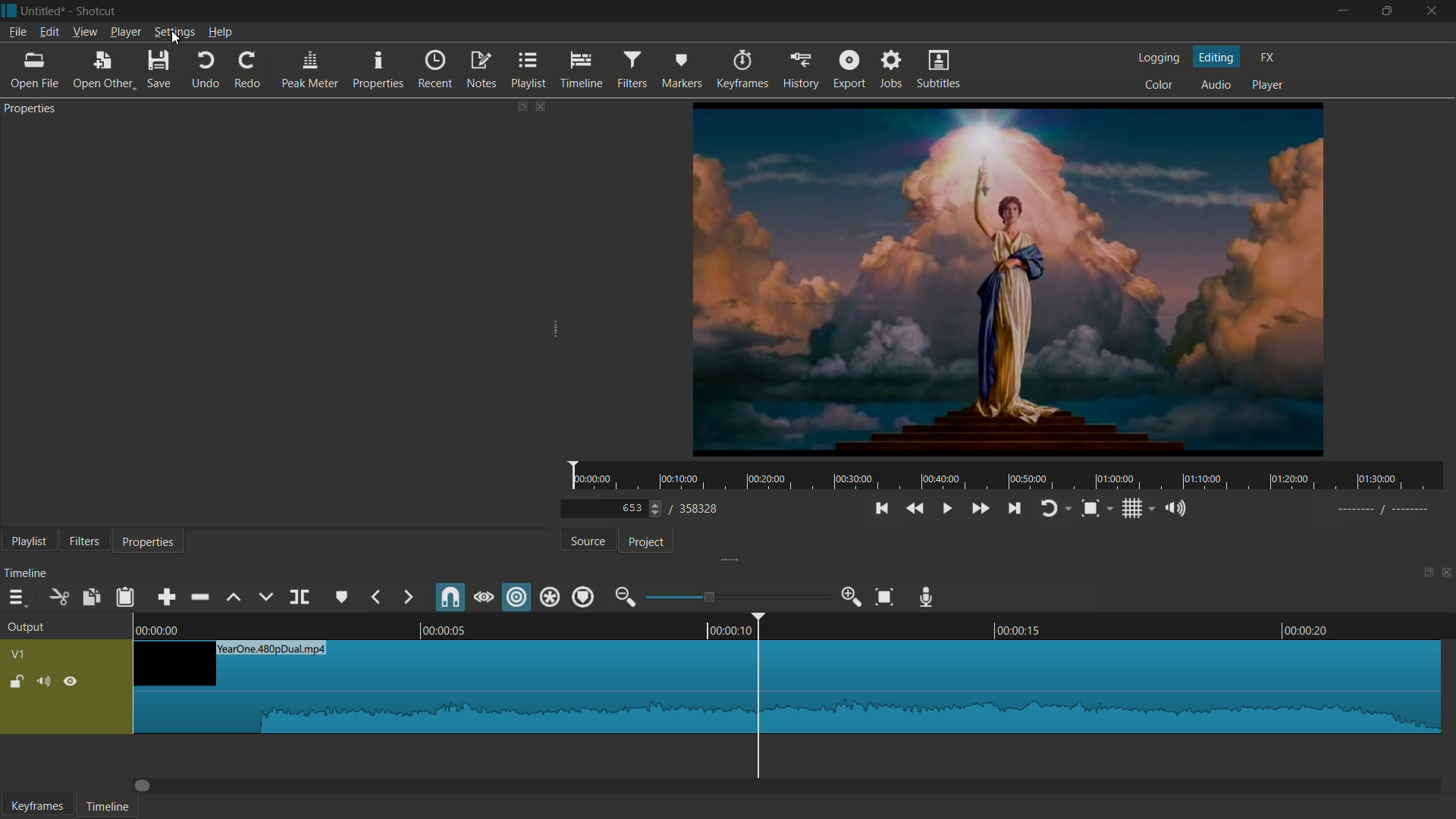 This screenshot has width=1456, height=819. Describe the element at coordinates (1008, 478) in the screenshot. I see `time` at that location.